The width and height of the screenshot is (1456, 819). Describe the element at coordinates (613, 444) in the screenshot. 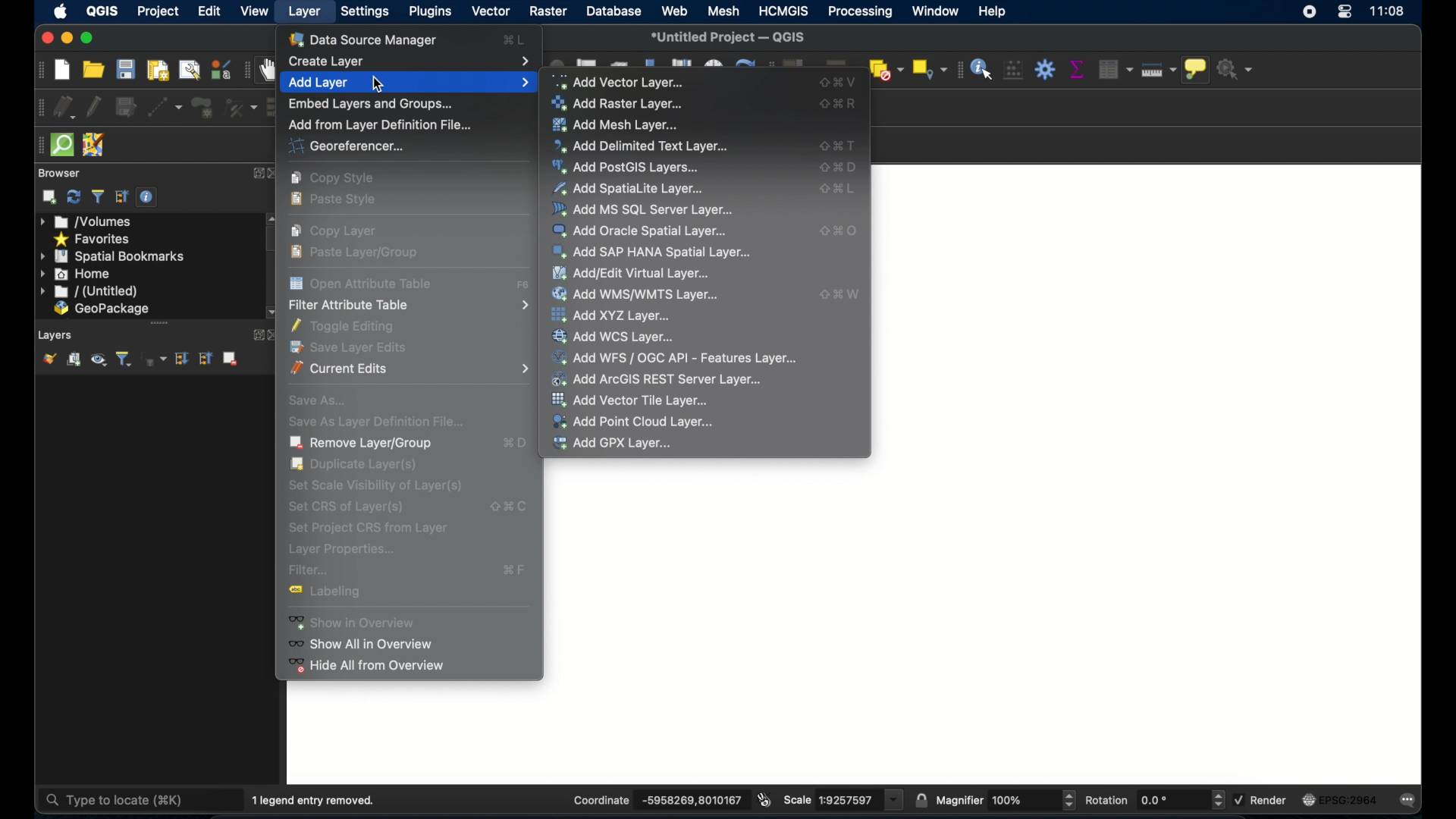

I see `add gpx layer` at that location.